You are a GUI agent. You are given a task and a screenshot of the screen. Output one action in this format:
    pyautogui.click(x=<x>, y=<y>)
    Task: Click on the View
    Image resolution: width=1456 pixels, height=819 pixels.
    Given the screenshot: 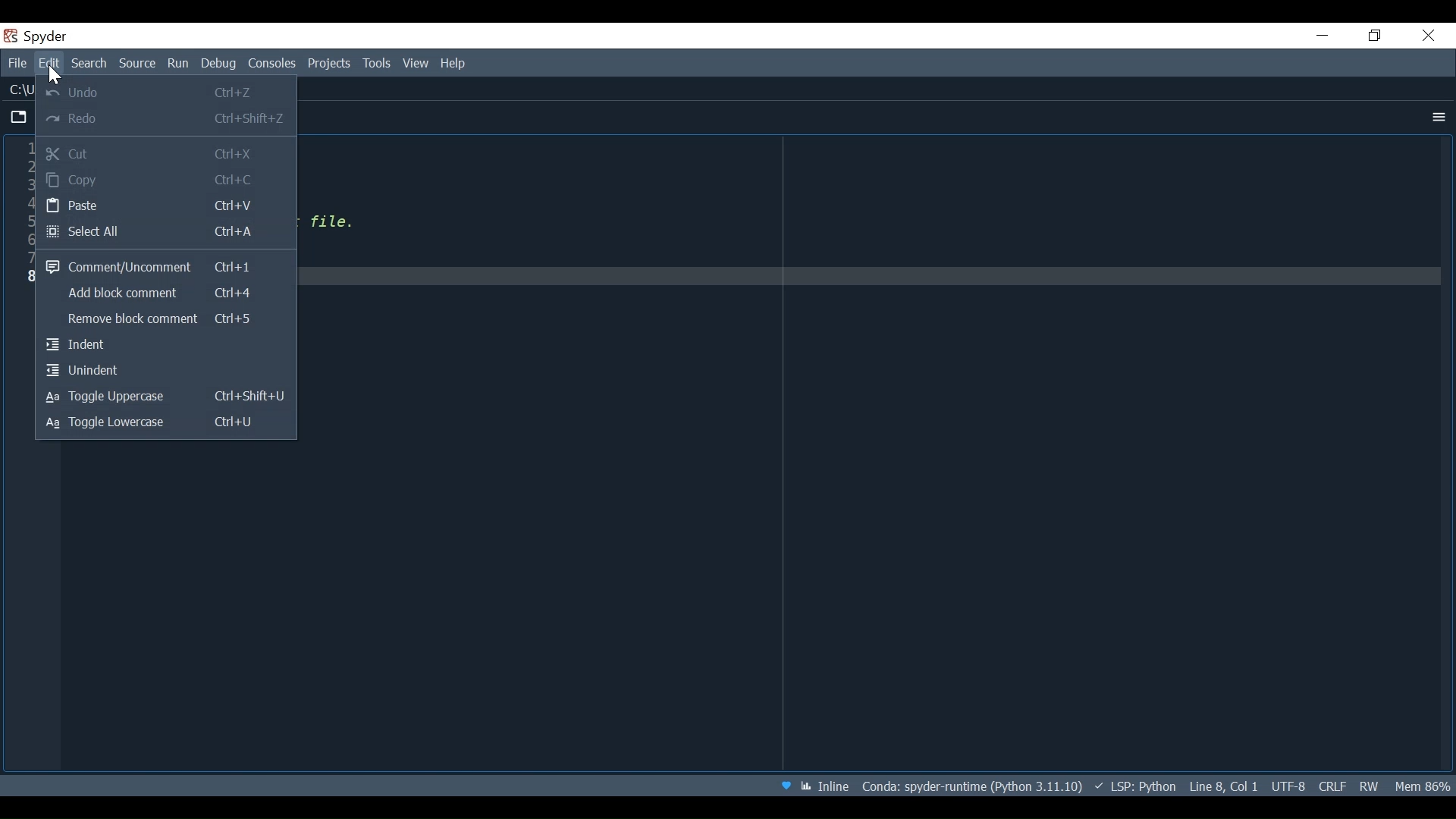 What is the action you would take?
    pyautogui.click(x=416, y=64)
    